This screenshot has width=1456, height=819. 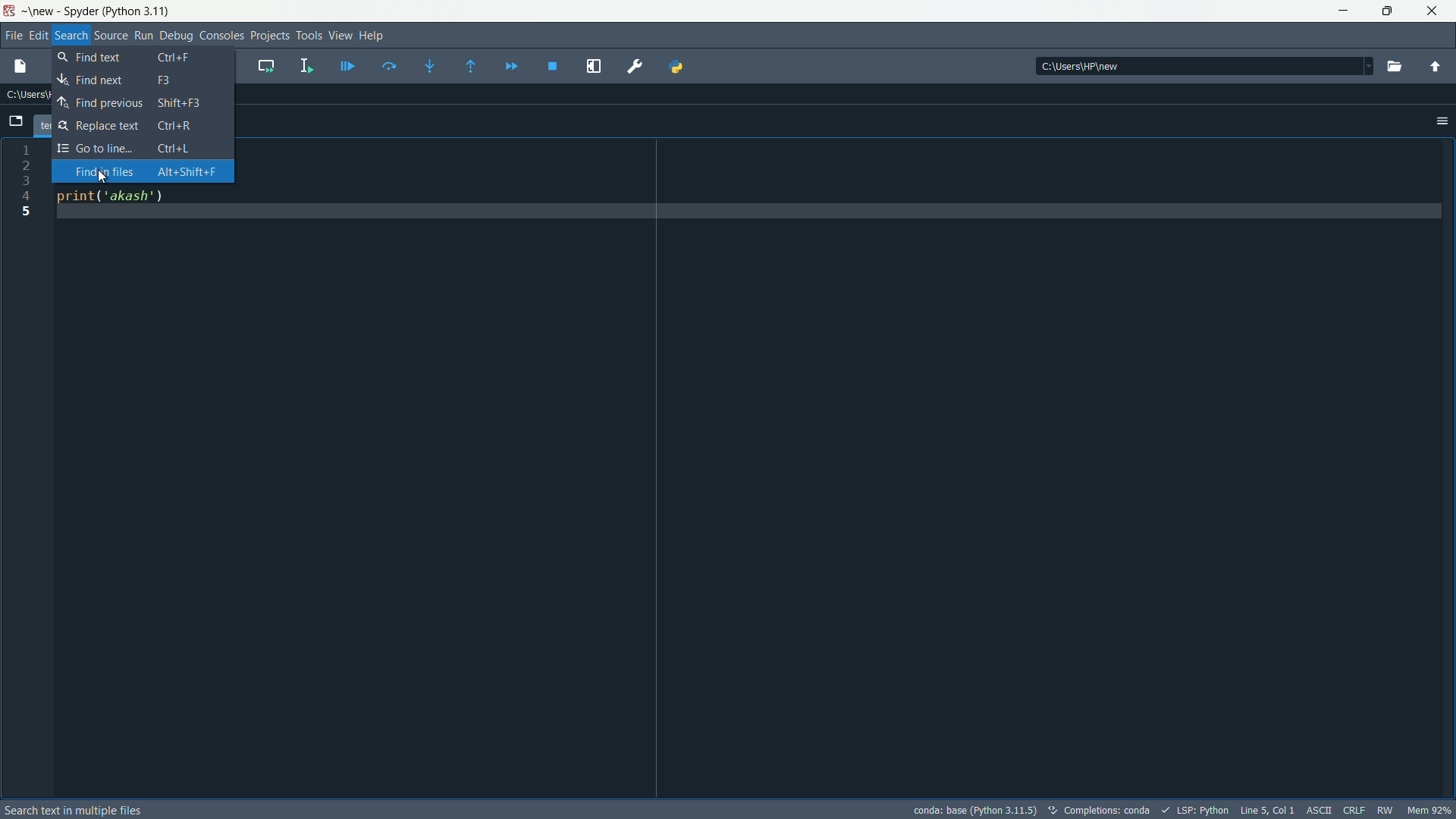 I want to click on Debug Menu, so click(x=175, y=36).